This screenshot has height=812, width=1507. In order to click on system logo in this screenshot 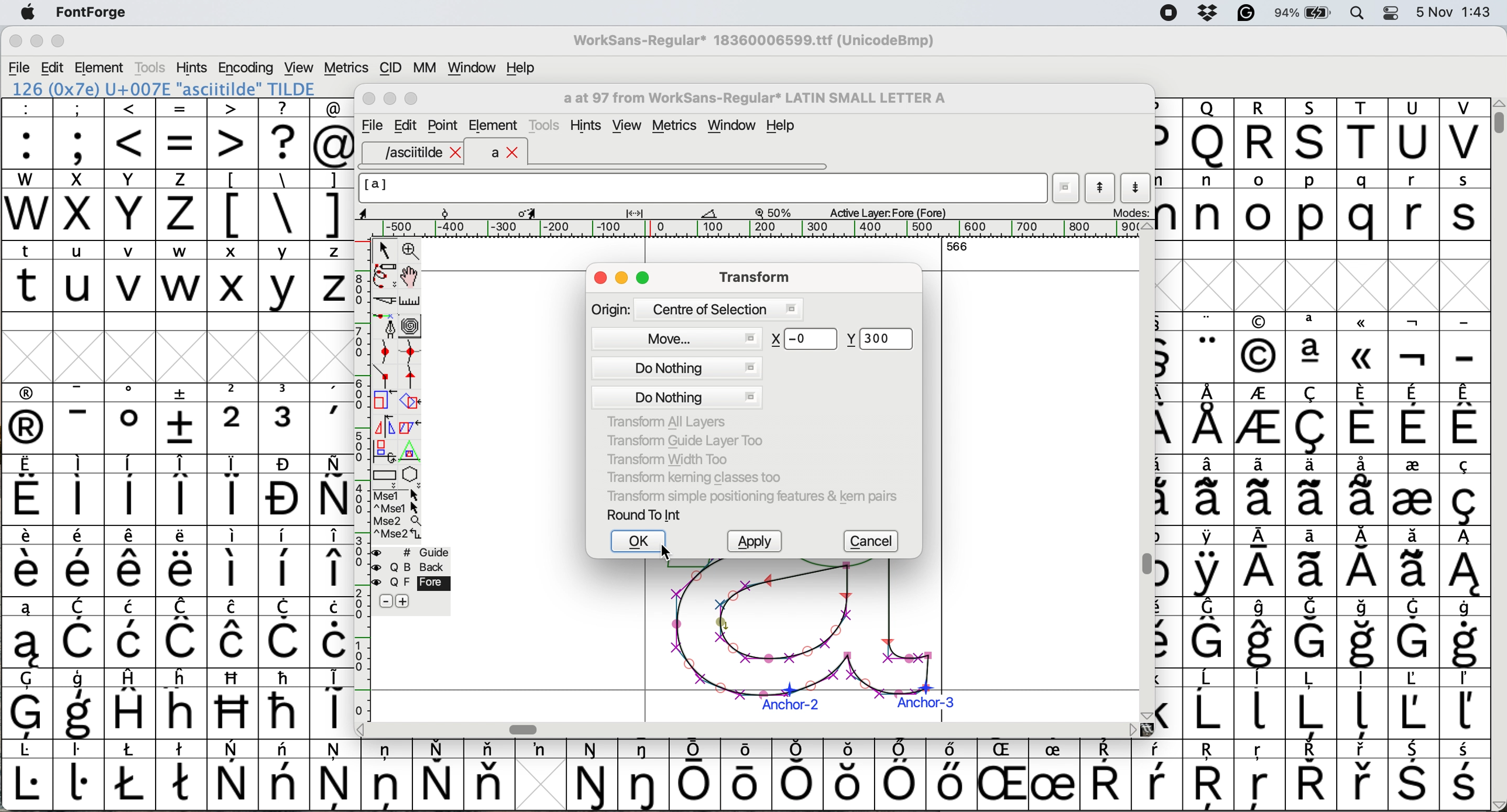, I will do `click(27, 13)`.